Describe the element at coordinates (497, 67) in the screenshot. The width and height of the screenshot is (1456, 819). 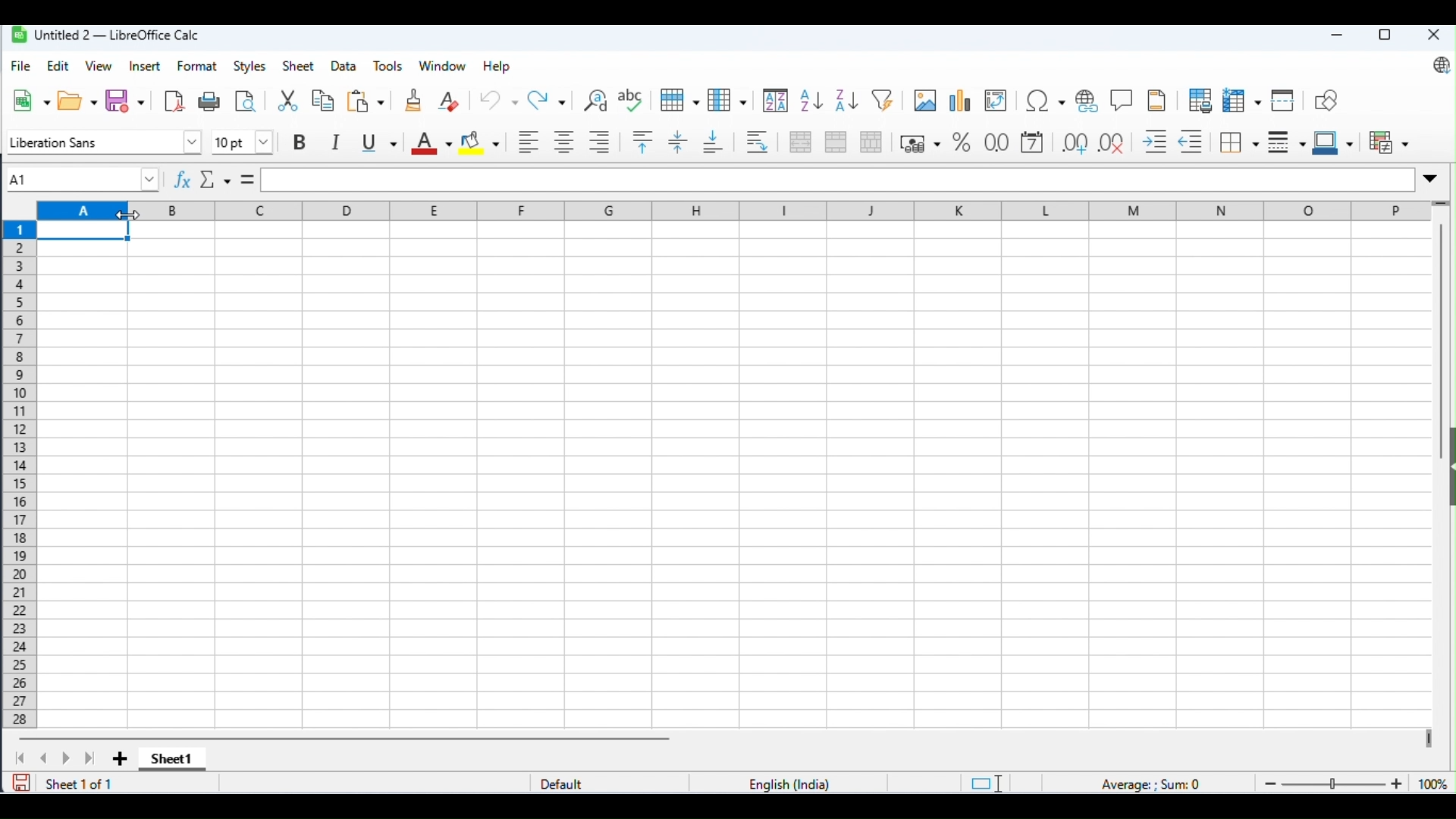
I see `help` at that location.